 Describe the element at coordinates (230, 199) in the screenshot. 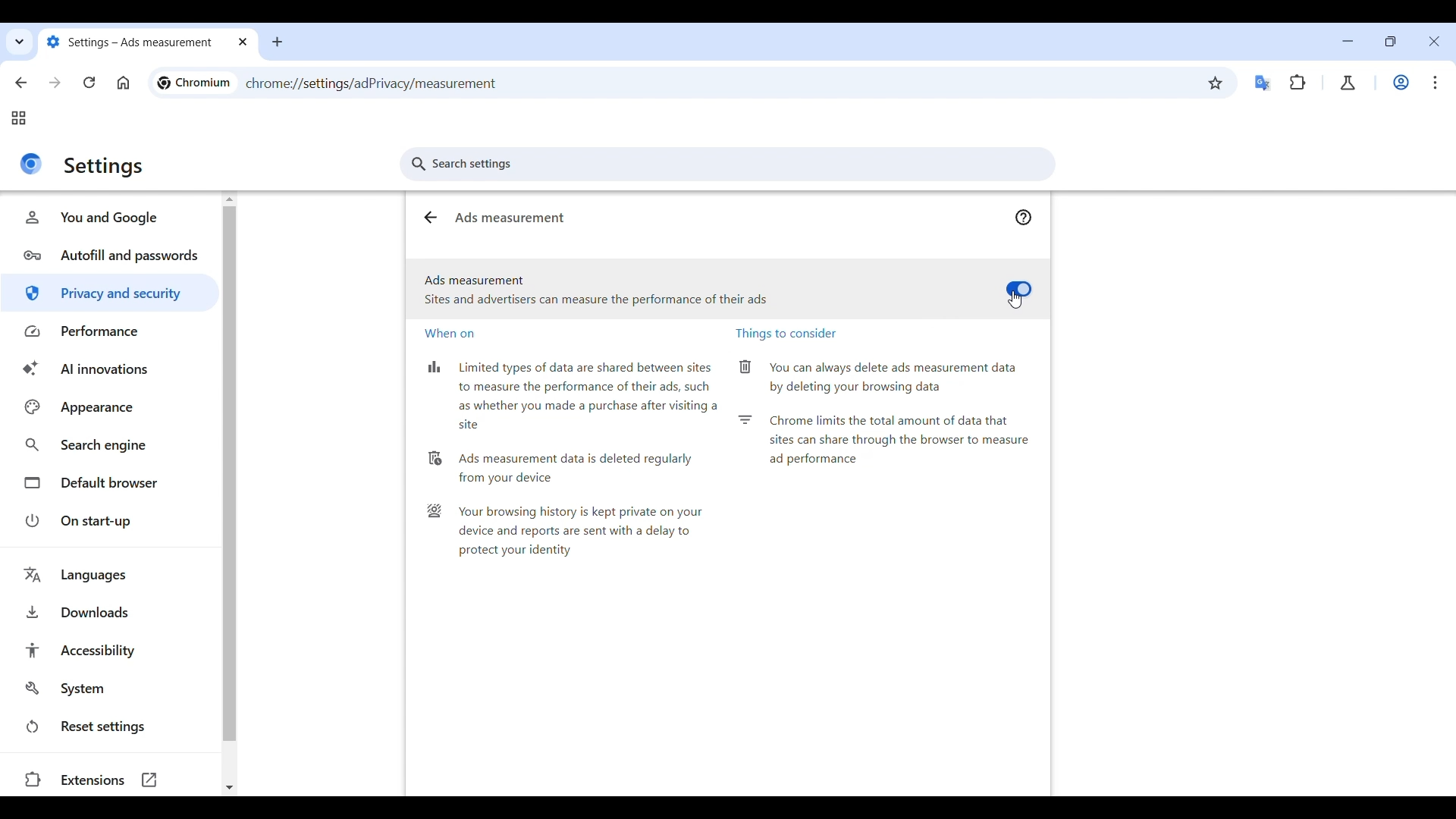

I see `Quick slide to top` at that location.